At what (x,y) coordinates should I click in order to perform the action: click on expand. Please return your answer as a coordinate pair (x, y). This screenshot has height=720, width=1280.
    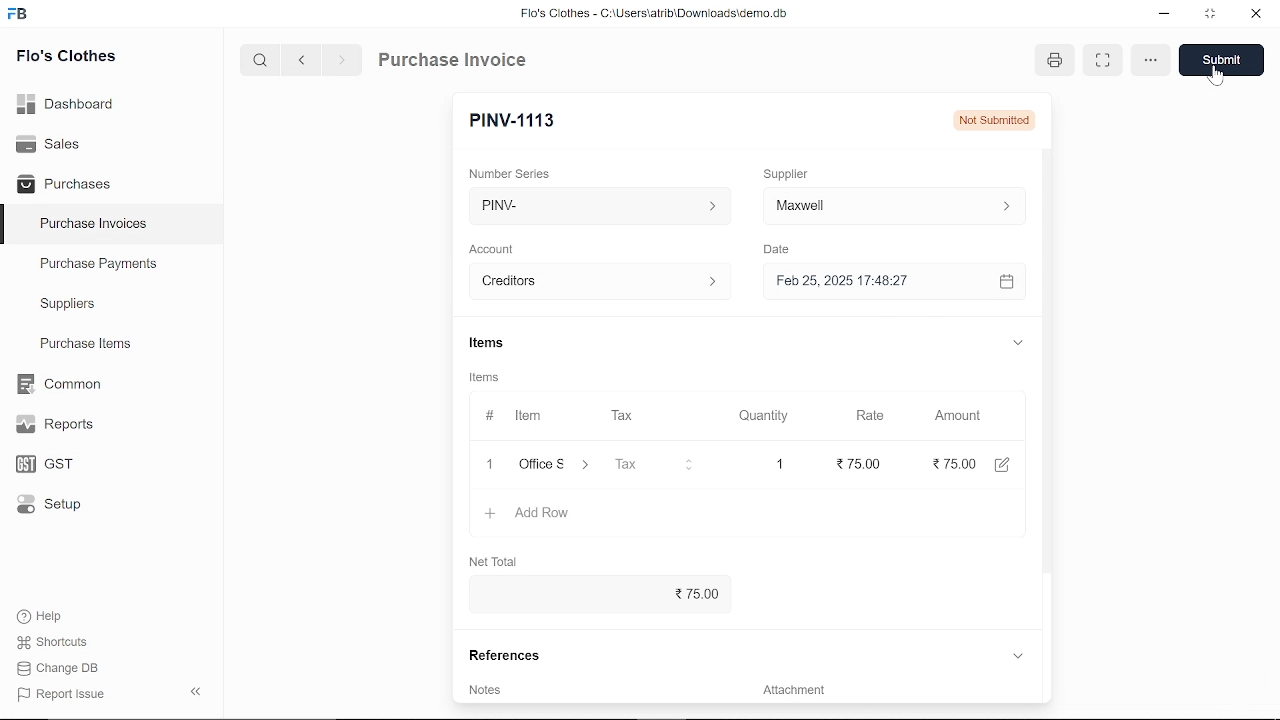
    Looking at the image, I should click on (1018, 345).